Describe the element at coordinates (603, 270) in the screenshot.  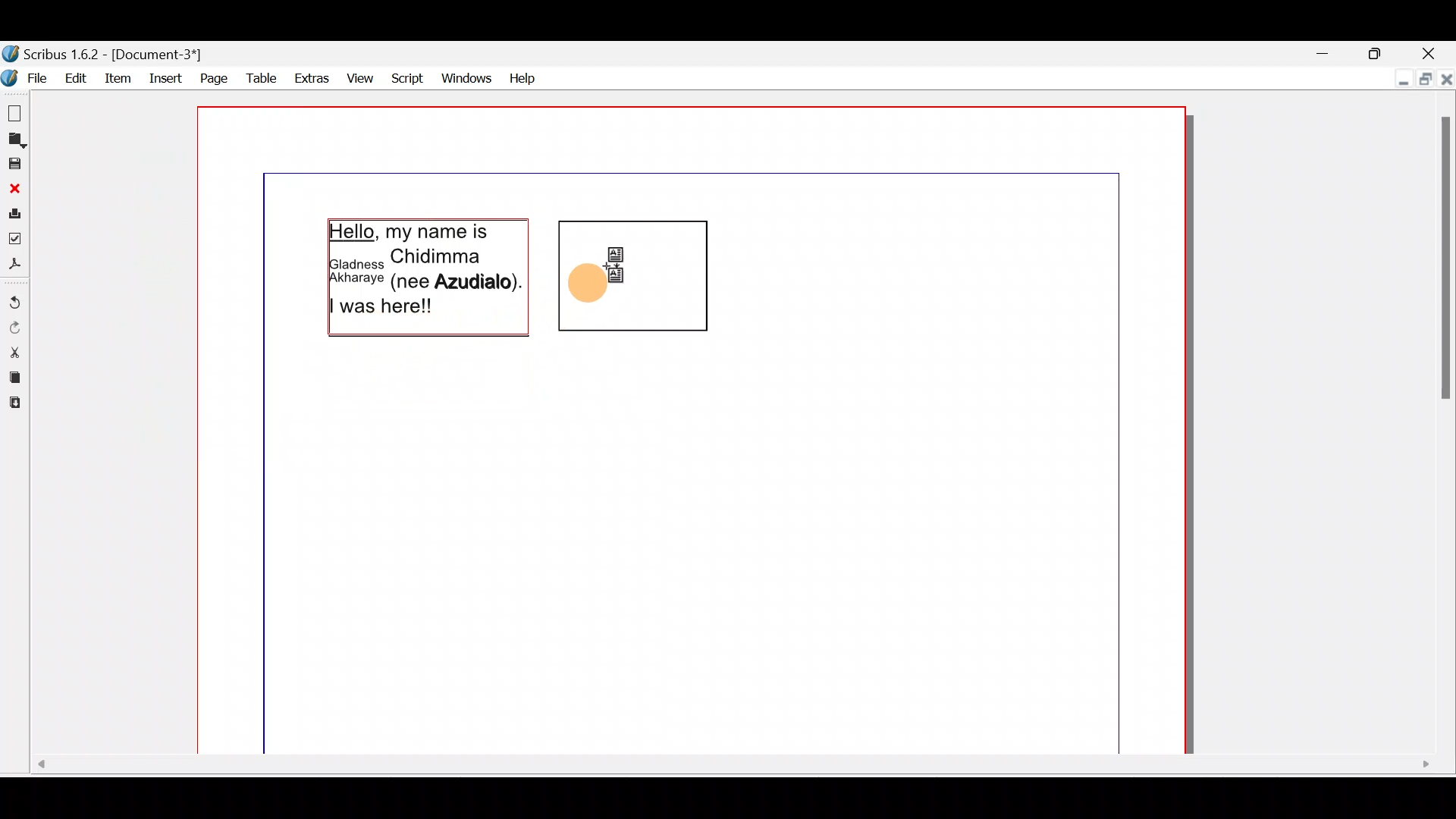
I see `Cursor` at that location.